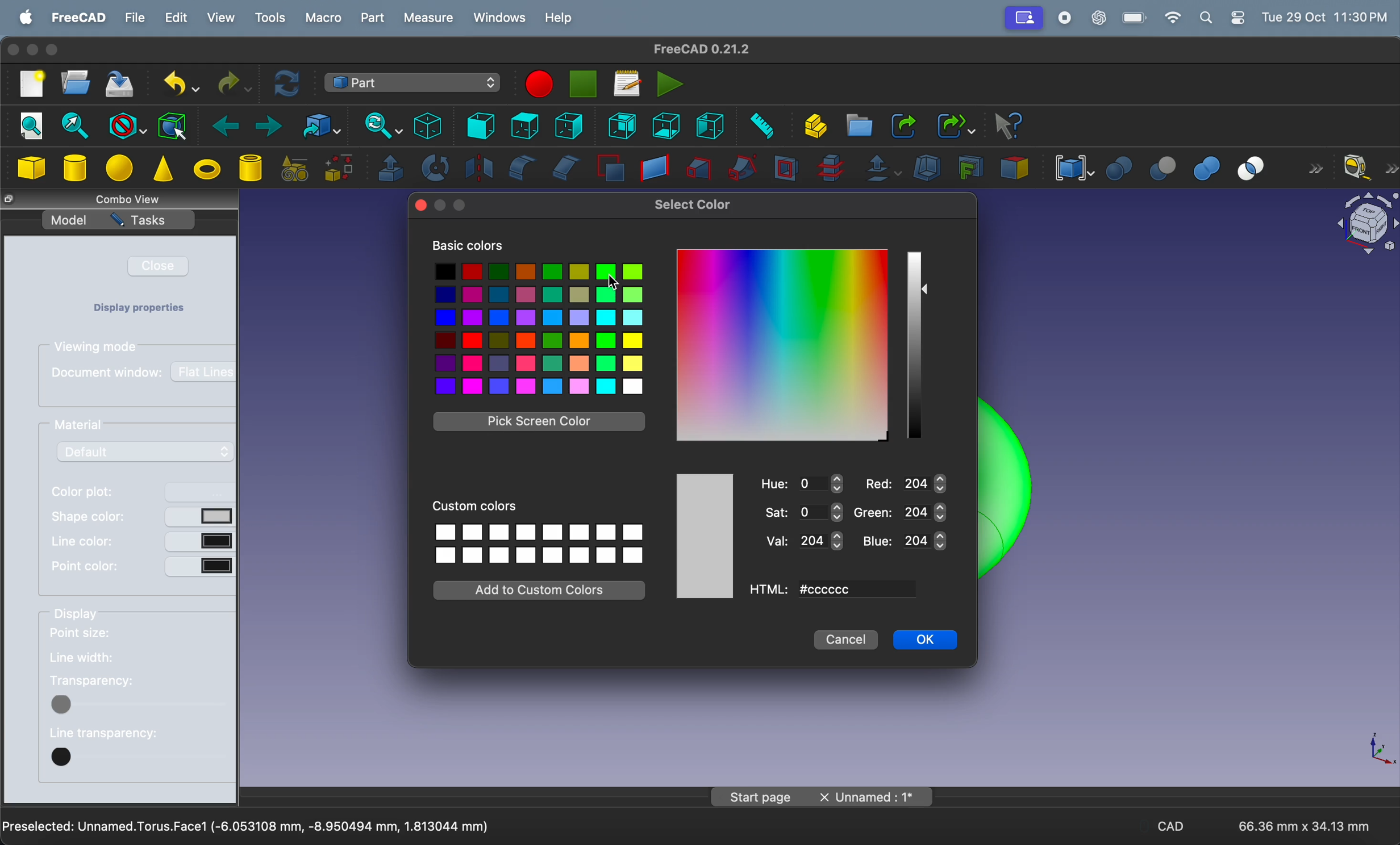  What do you see at coordinates (1065, 16) in the screenshot?
I see `record` at bounding box center [1065, 16].